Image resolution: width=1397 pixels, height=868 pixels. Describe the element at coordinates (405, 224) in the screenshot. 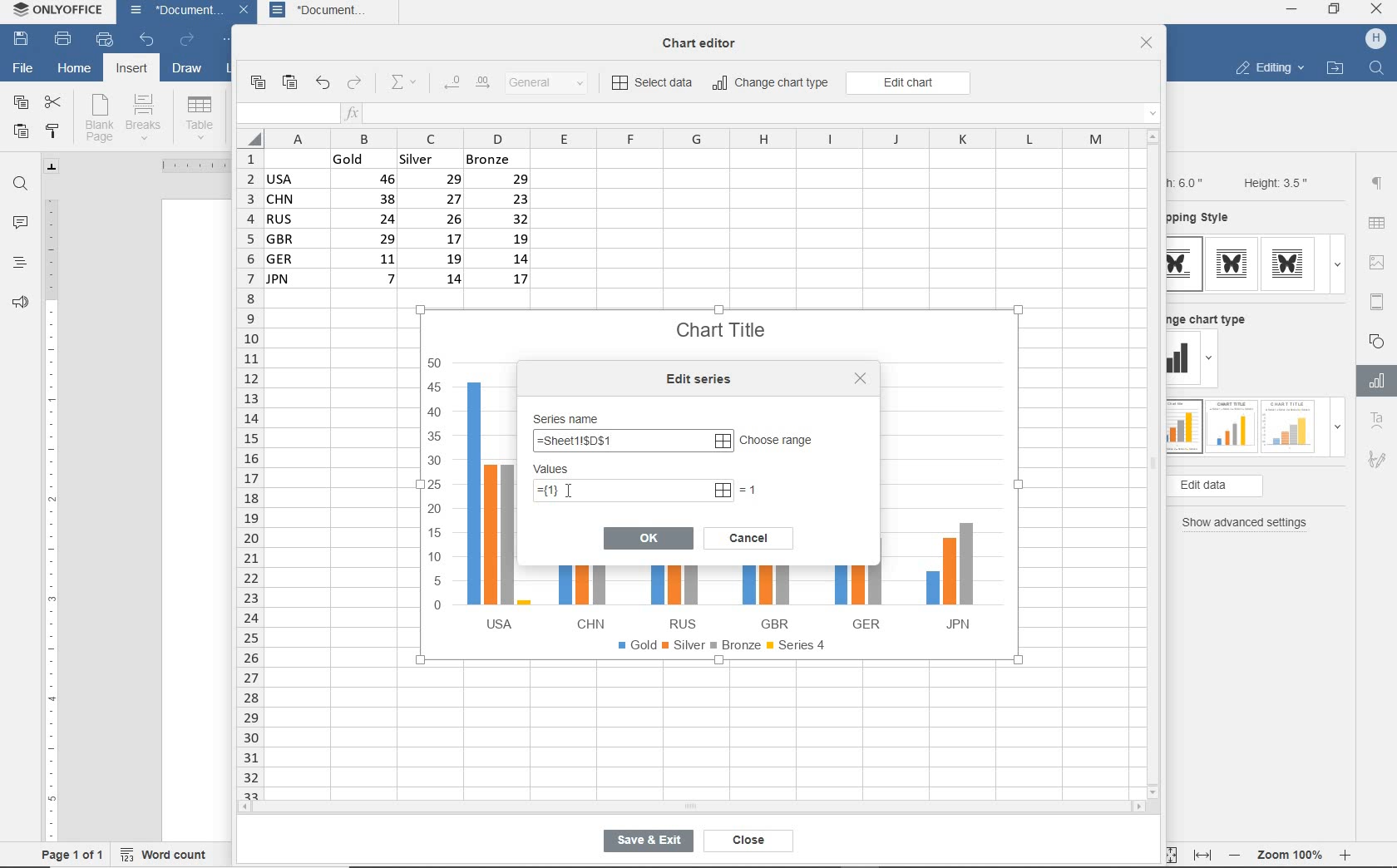

I see `data` at that location.